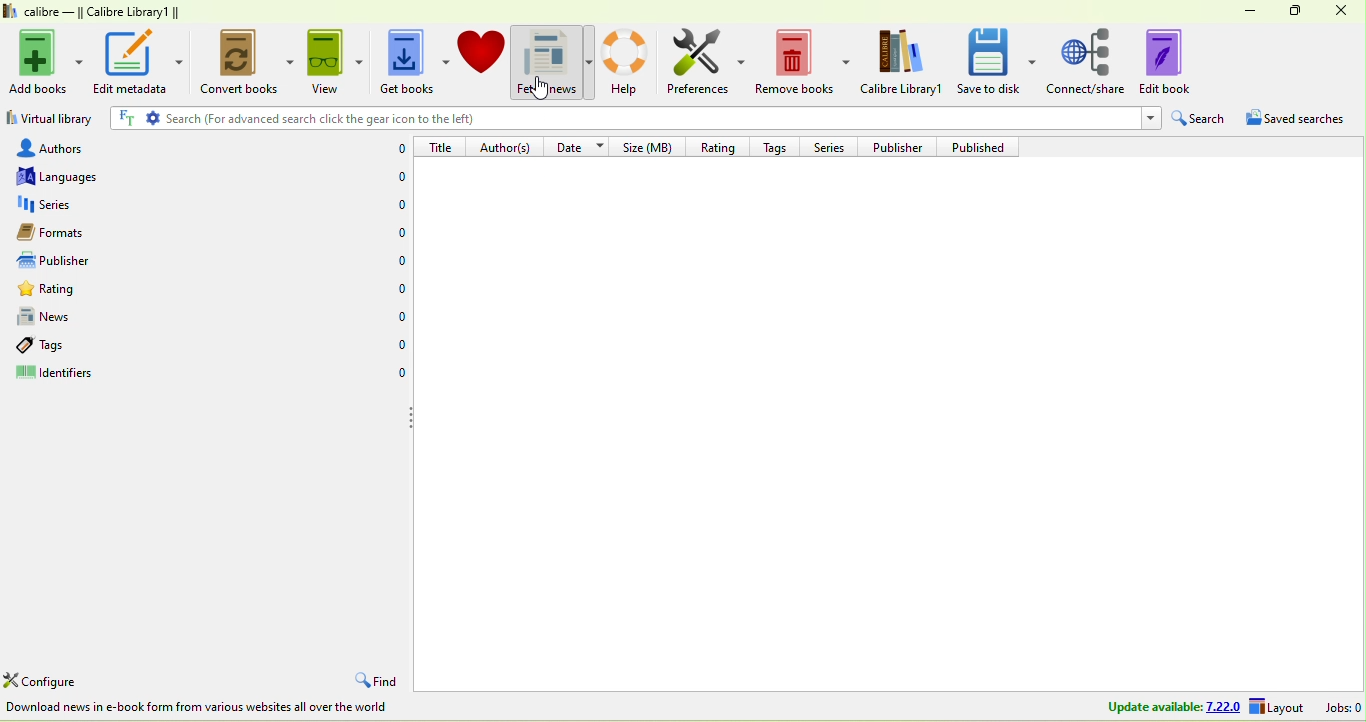 The height and width of the screenshot is (722, 1366). Describe the element at coordinates (482, 62) in the screenshot. I see `donate` at that location.